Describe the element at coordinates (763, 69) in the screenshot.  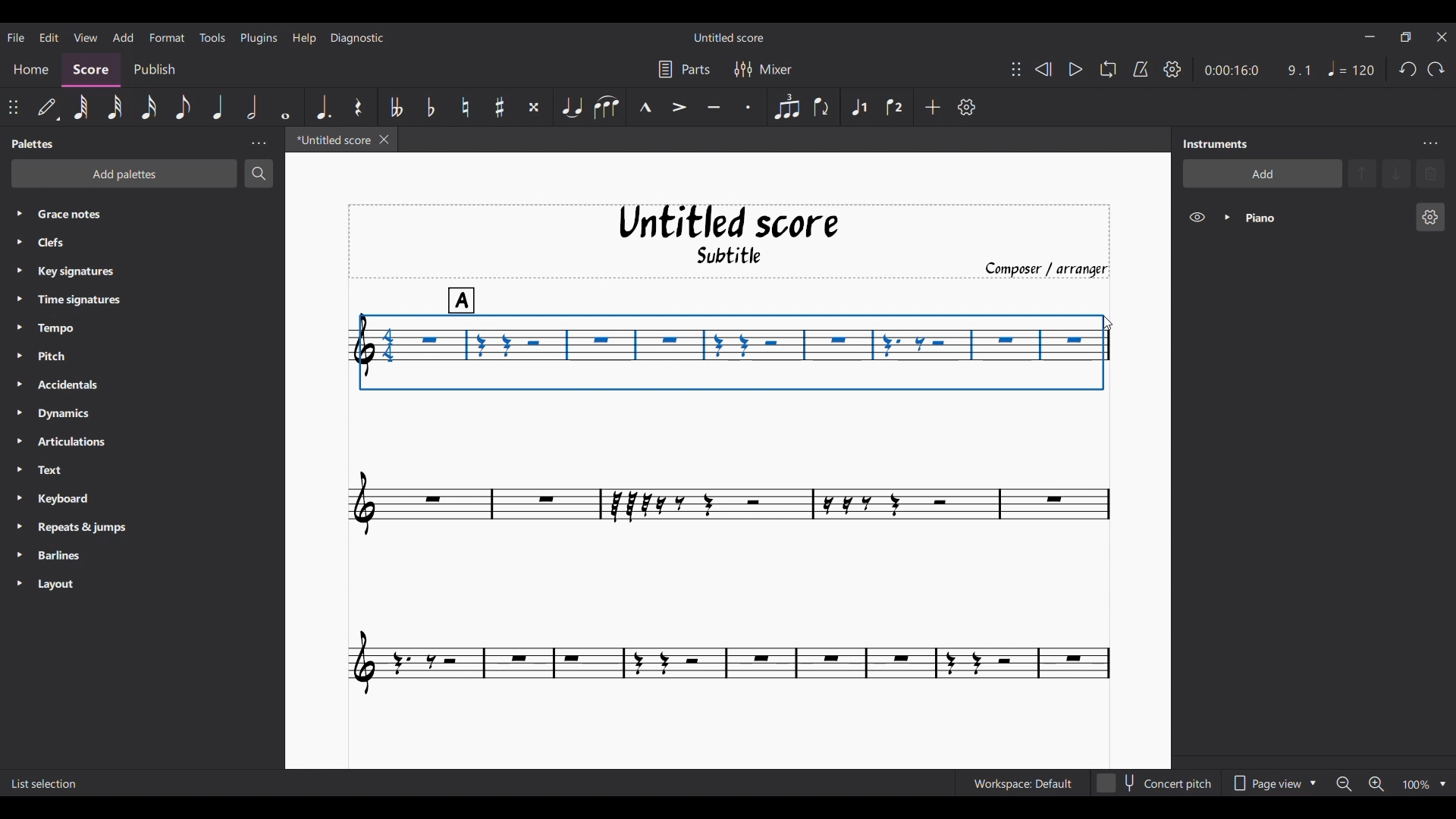
I see `Mixer settings` at that location.